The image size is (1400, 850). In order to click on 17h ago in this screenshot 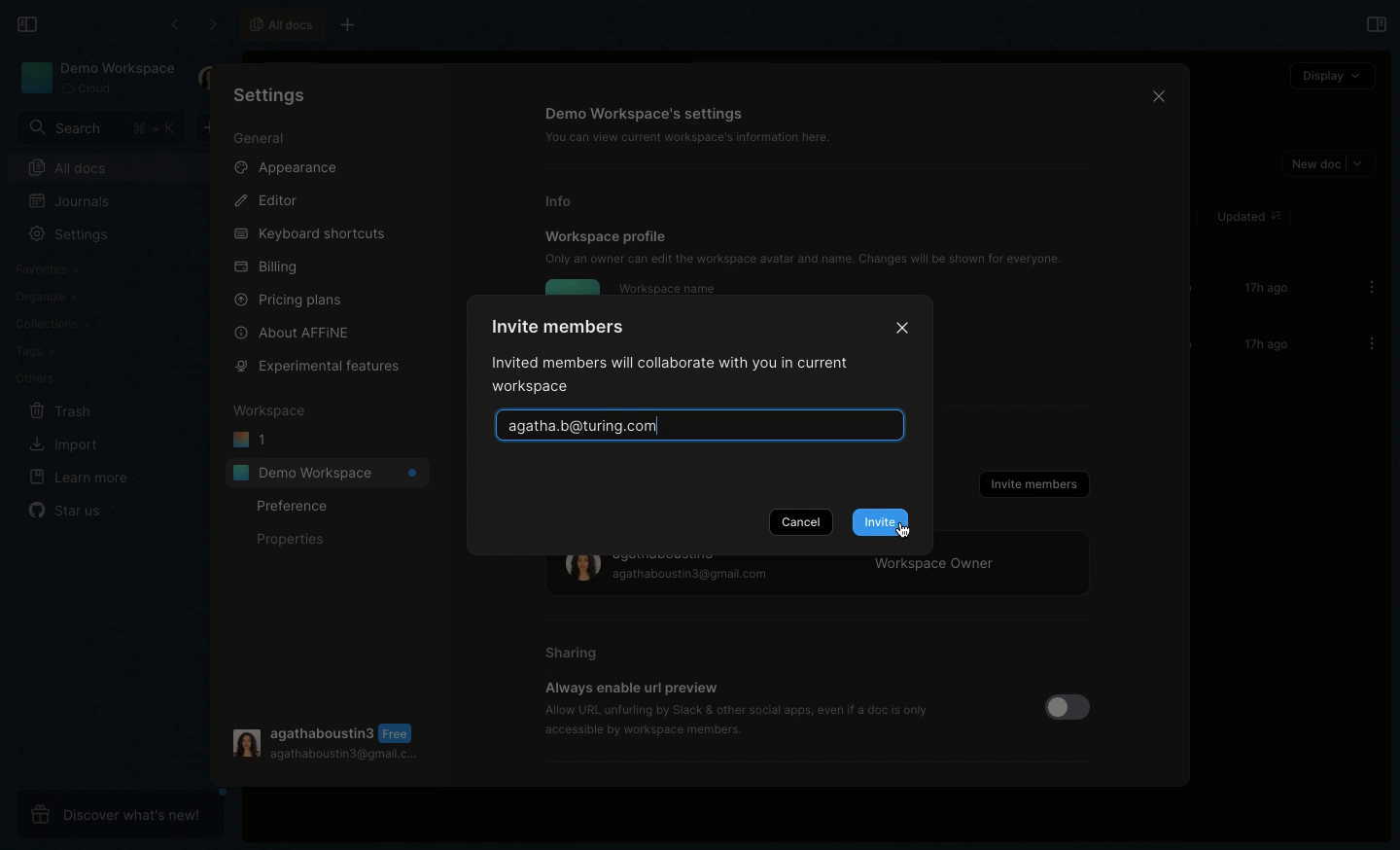, I will do `click(1263, 345)`.